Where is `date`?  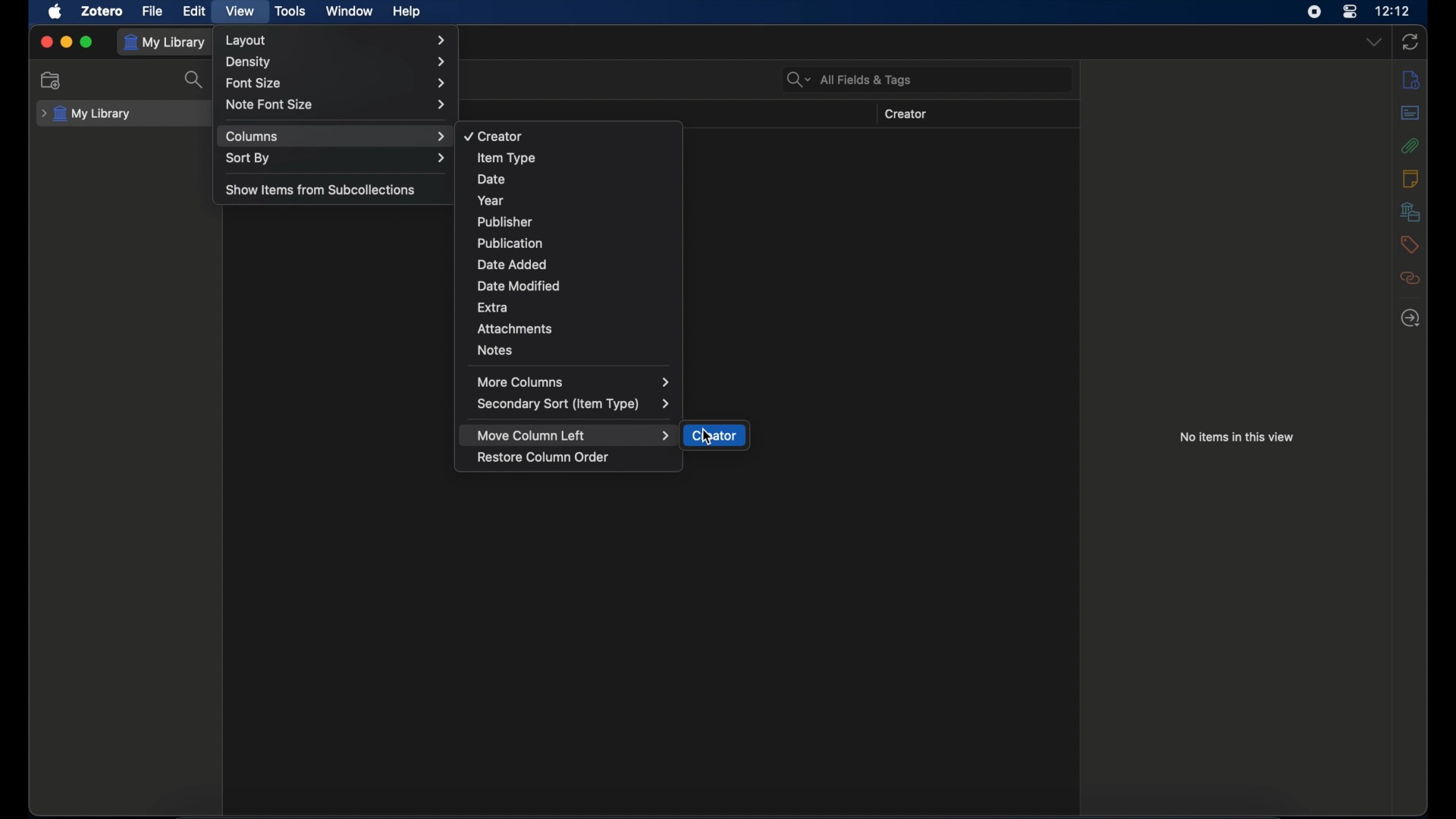
date is located at coordinates (491, 180).